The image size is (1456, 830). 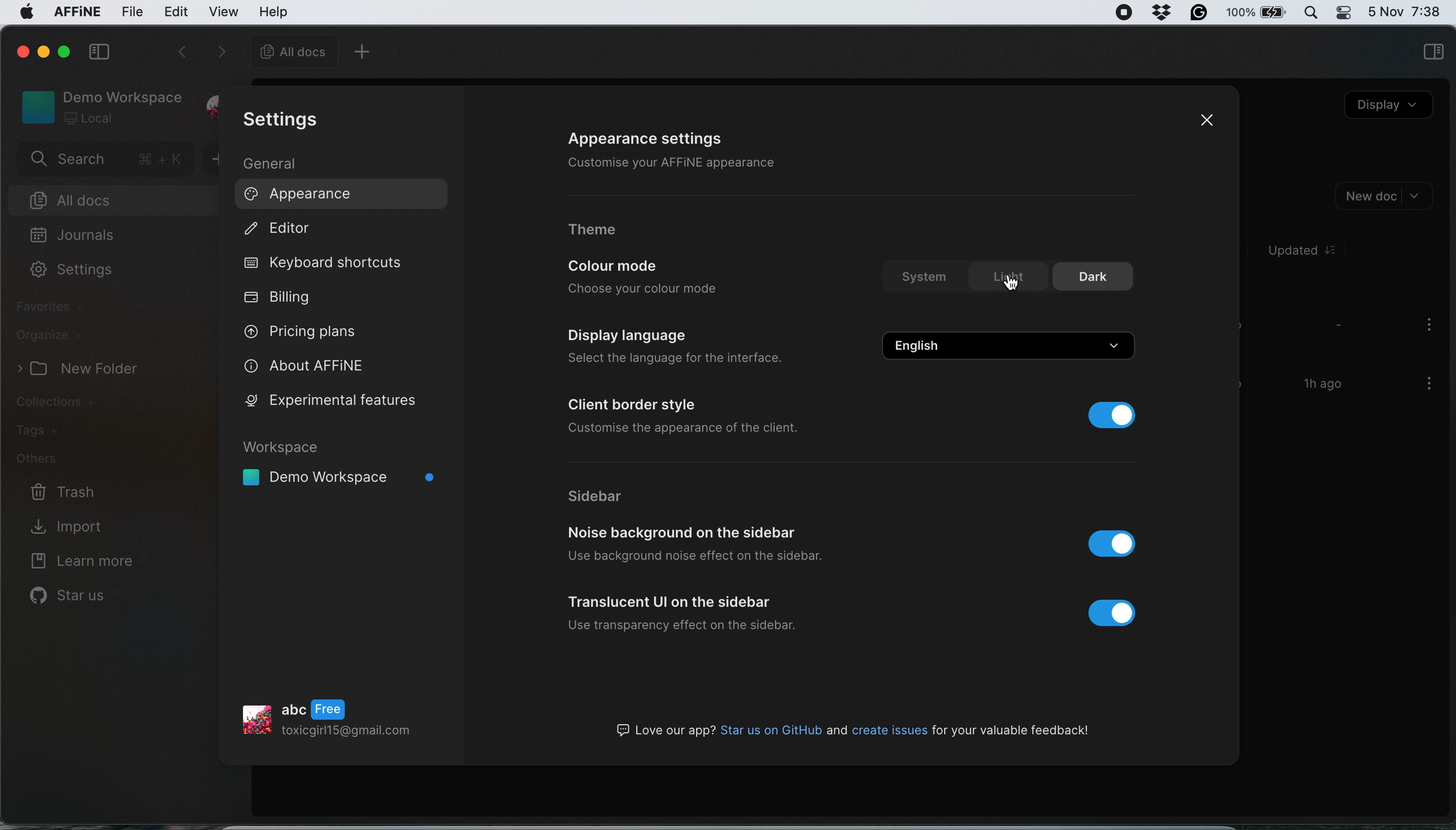 I want to click on date and time, so click(x=1405, y=10).